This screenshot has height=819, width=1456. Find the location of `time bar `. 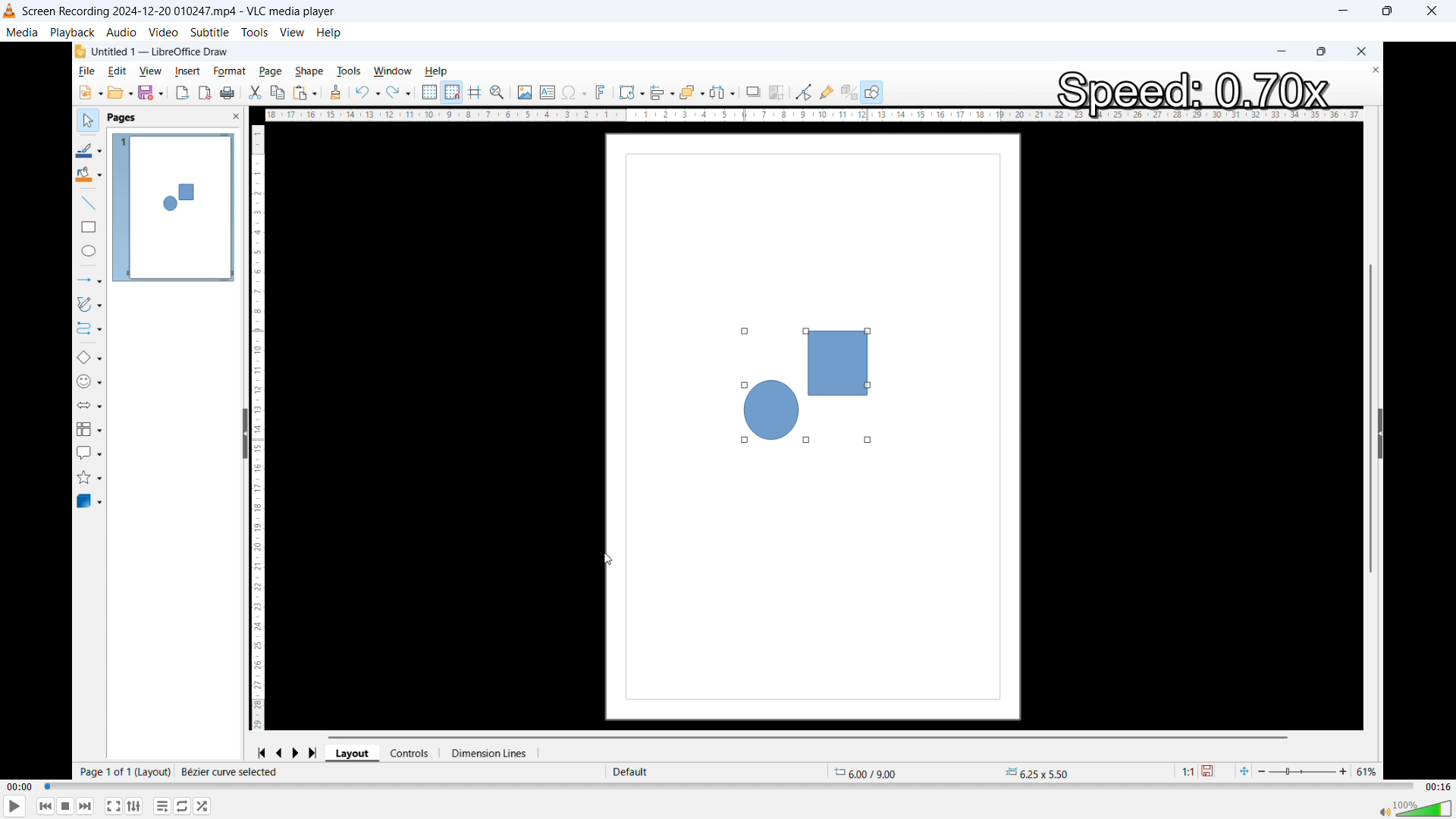

time bar  is located at coordinates (729, 786).